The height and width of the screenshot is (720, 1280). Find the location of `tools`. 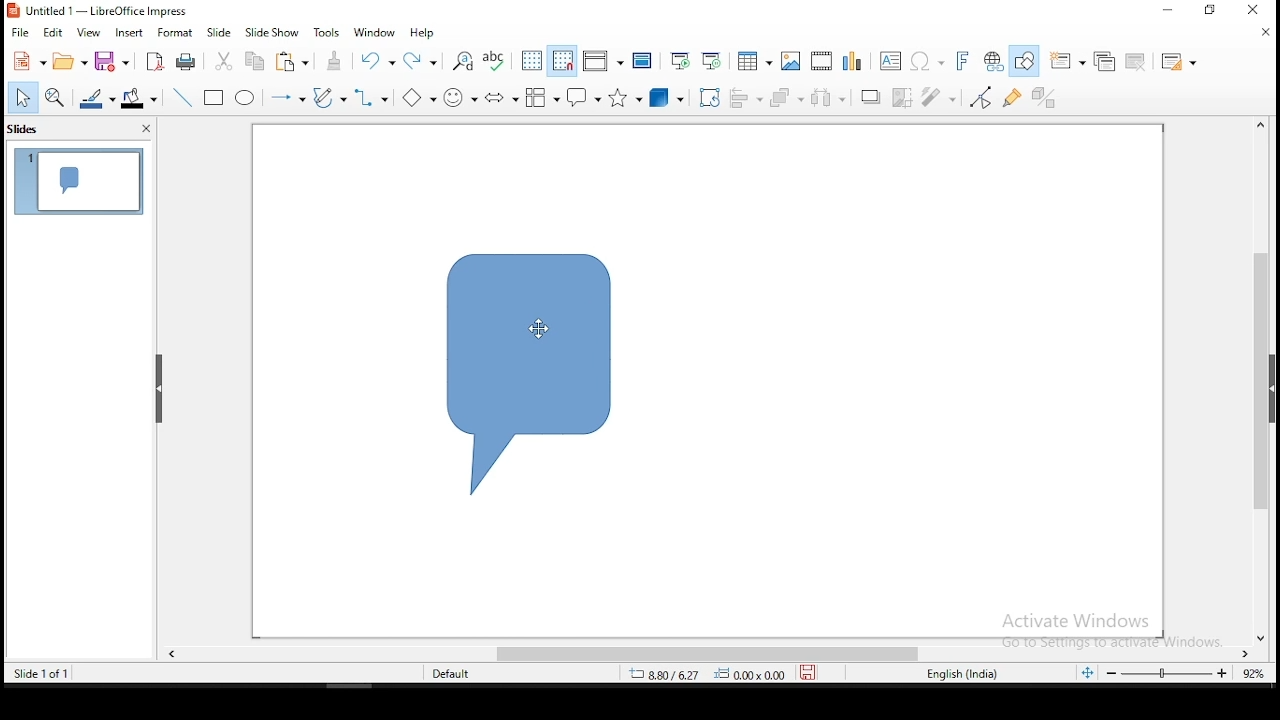

tools is located at coordinates (327, 32).